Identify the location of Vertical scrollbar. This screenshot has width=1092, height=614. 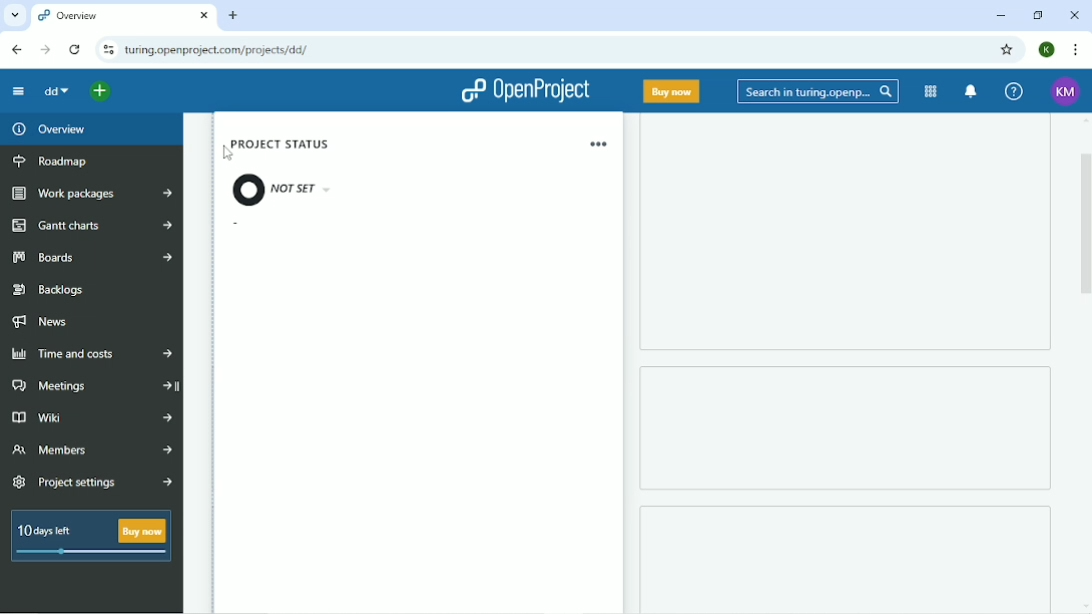
(1085, 232).